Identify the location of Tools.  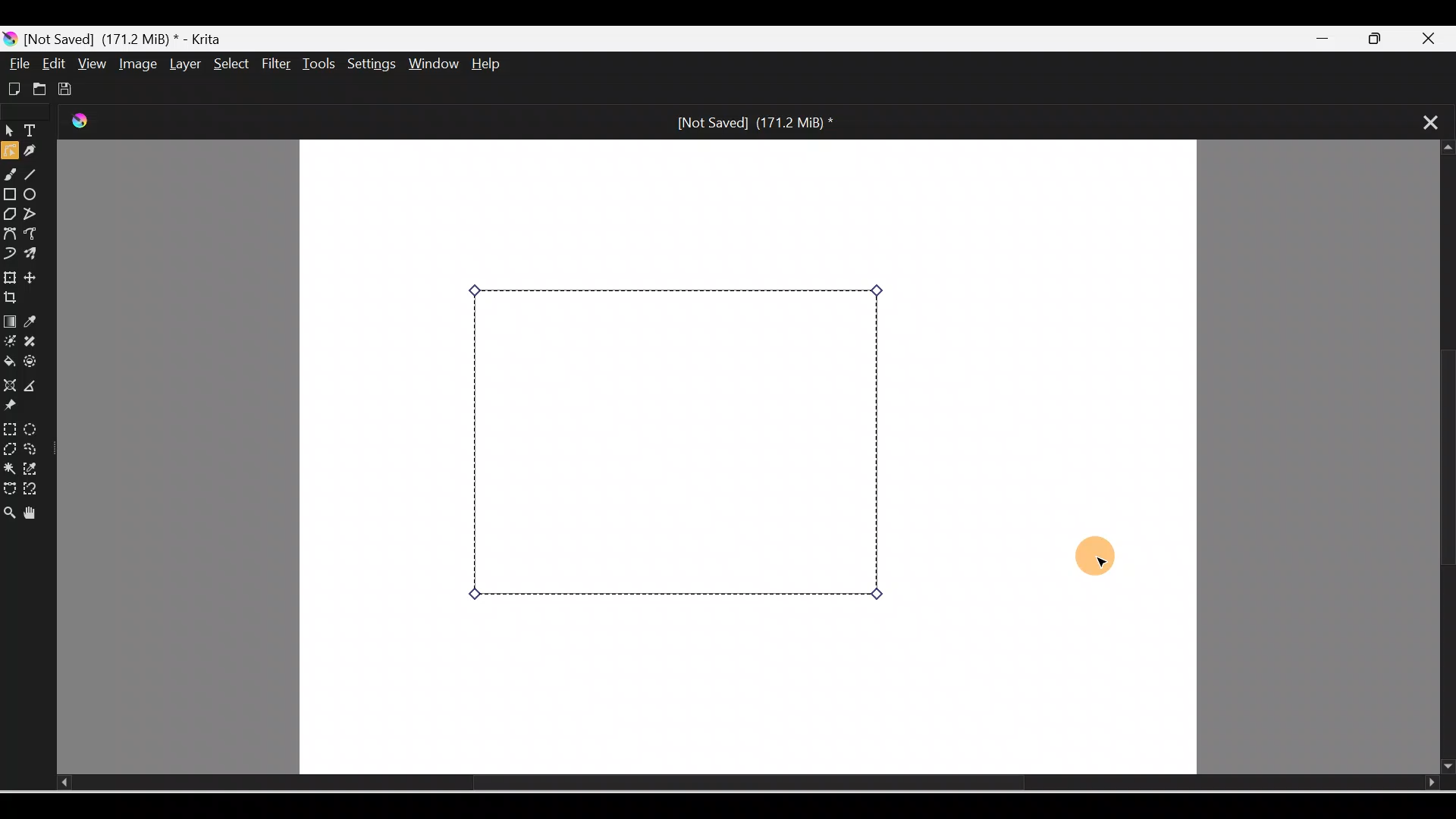
(322, 64).